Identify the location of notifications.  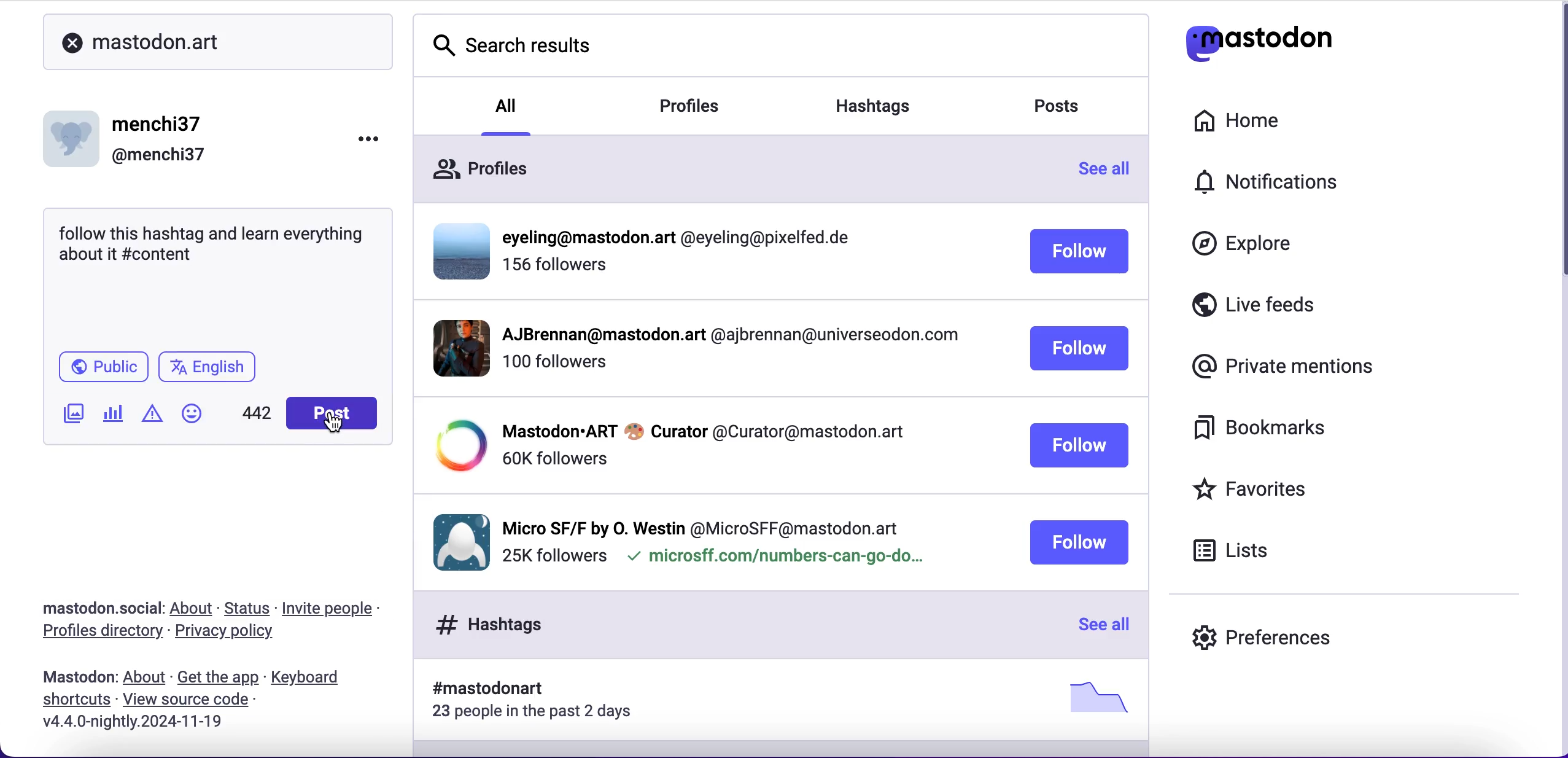
(1294, 186).